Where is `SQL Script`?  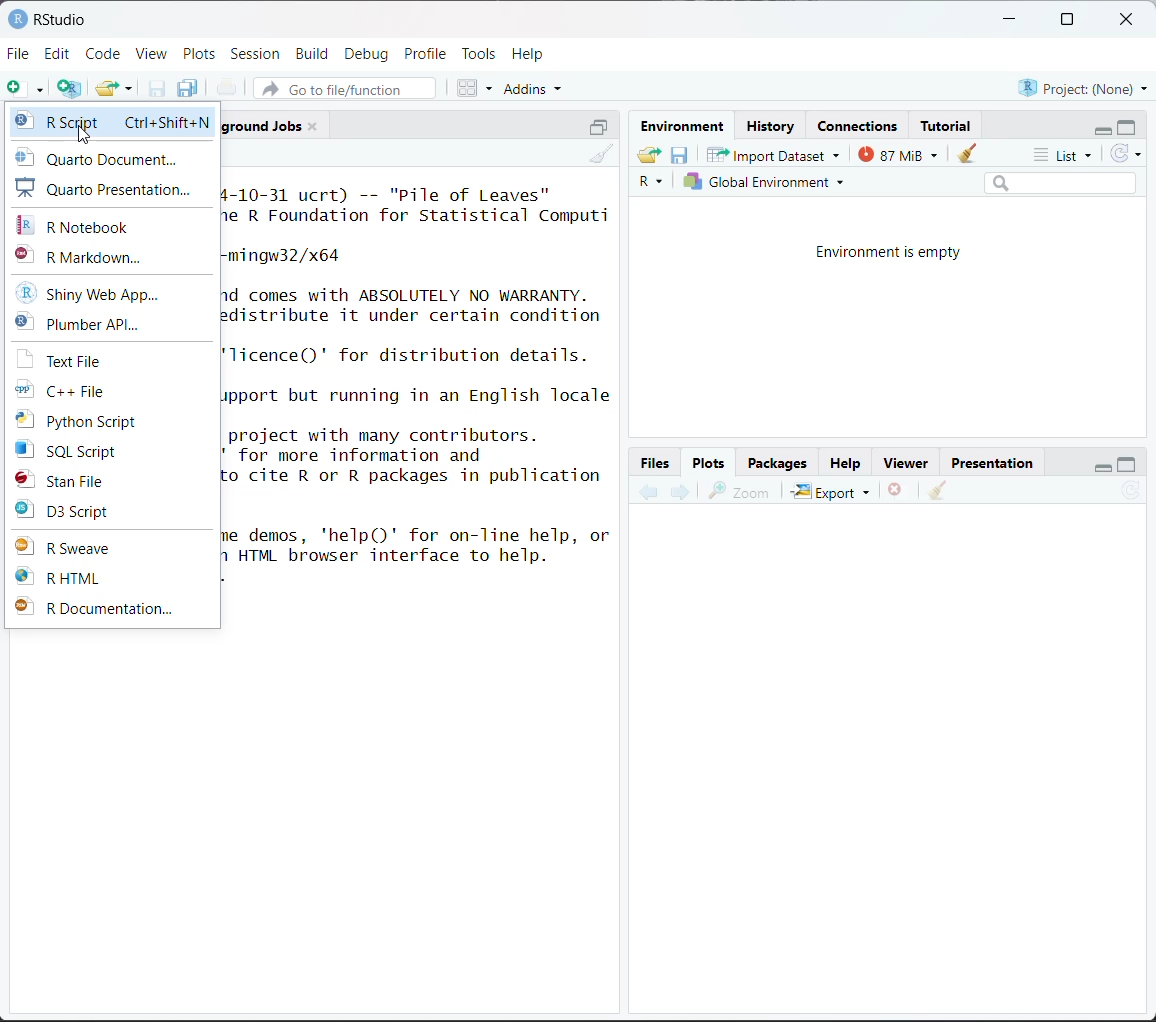 SQL Script is located at coordinates (69, 452).